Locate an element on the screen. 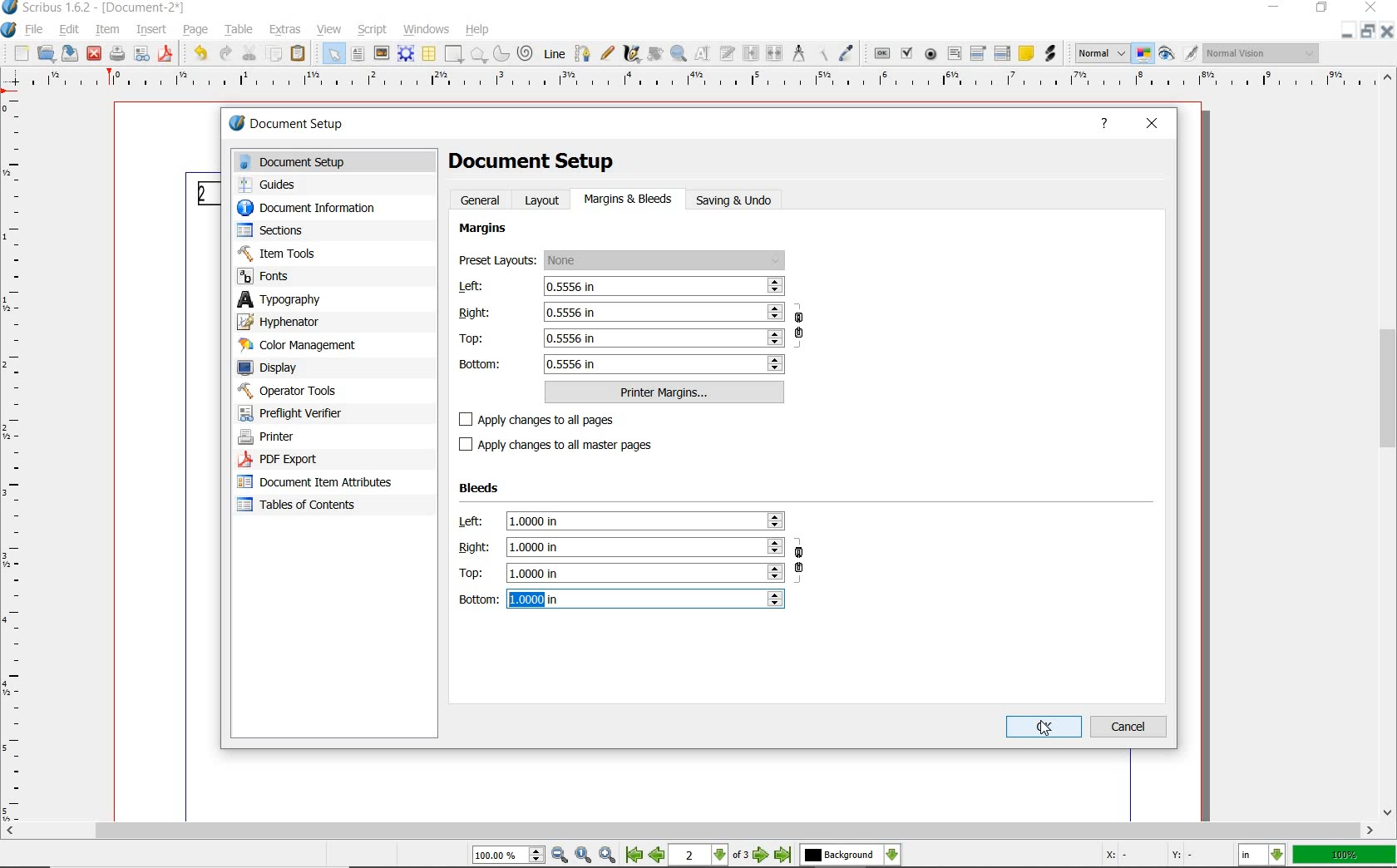 This screenshot has width=1397, height=868. table is located at coordinates (240, 31).